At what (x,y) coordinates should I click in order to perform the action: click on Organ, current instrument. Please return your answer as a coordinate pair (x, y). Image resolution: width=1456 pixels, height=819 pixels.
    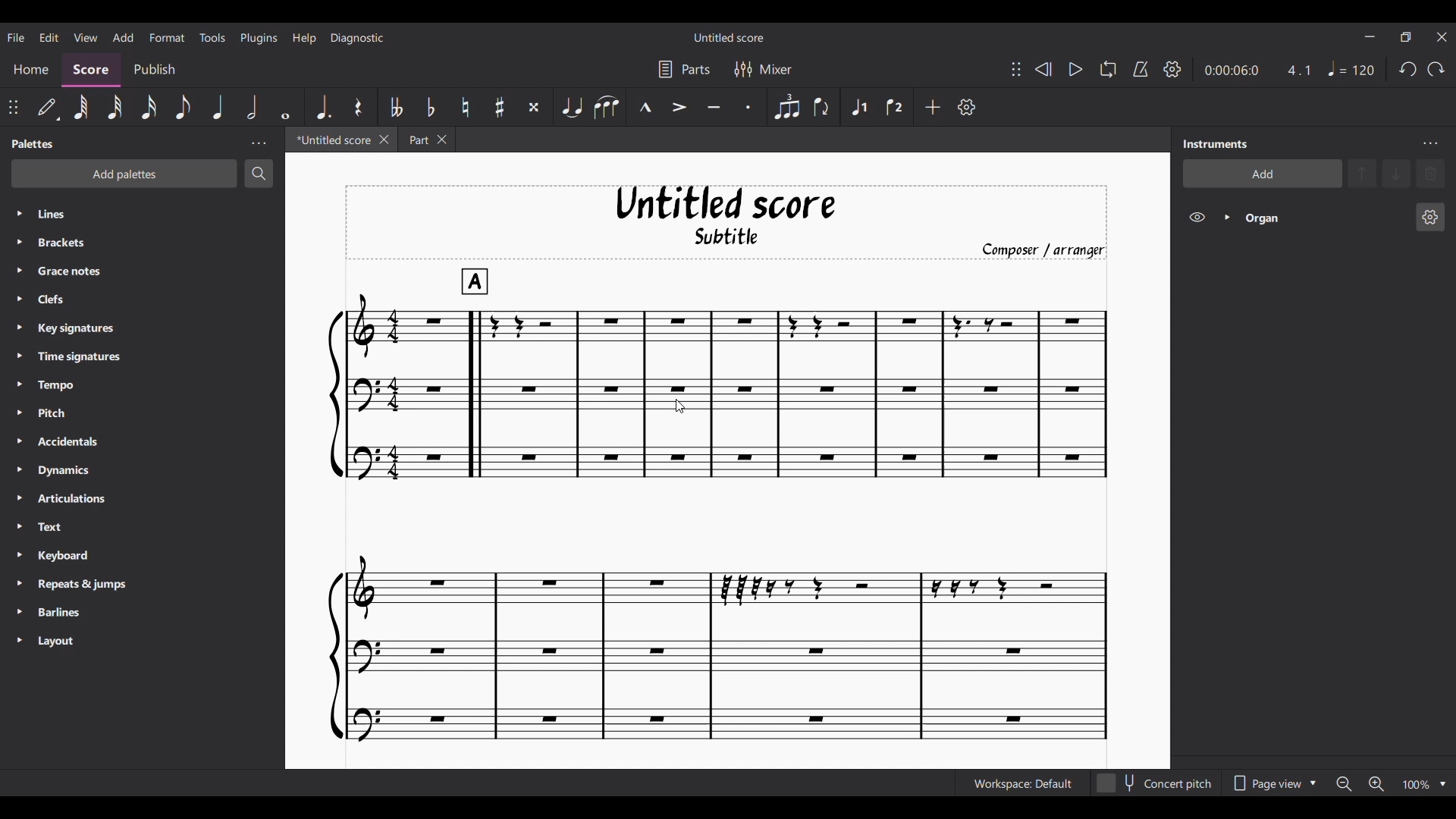
    Looking at the image, I should click on (1324, 218).